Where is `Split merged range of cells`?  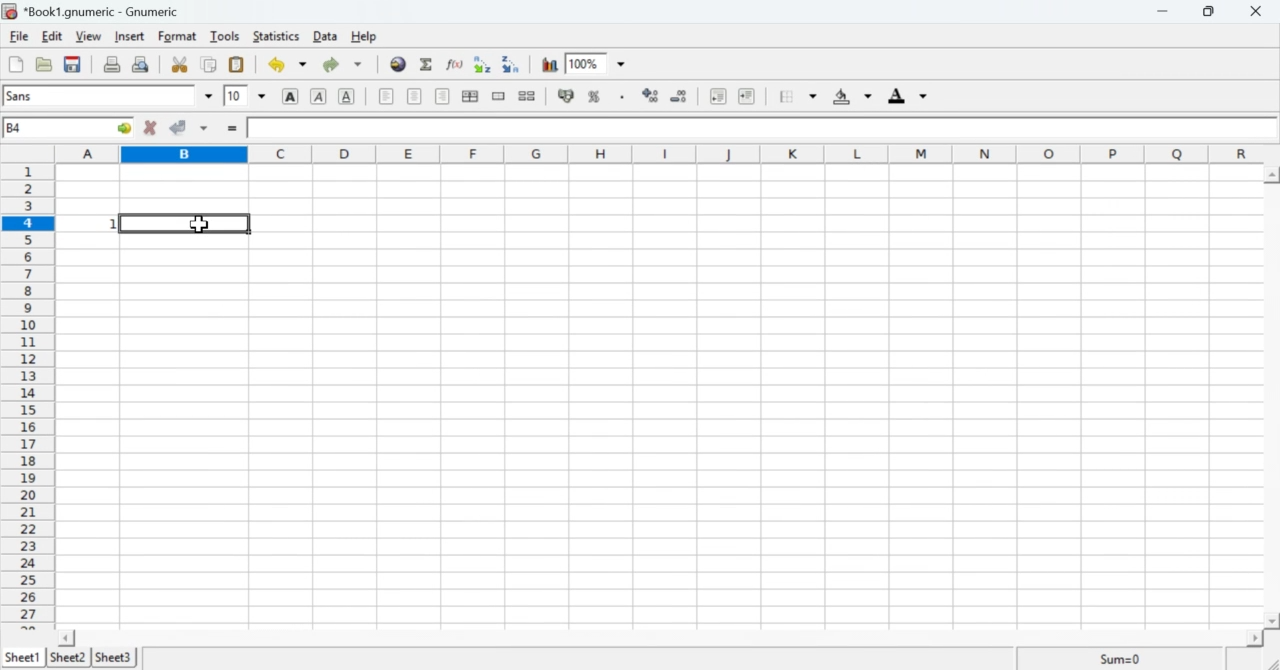 Split merged range of cells is located at coordinates (527, 95).